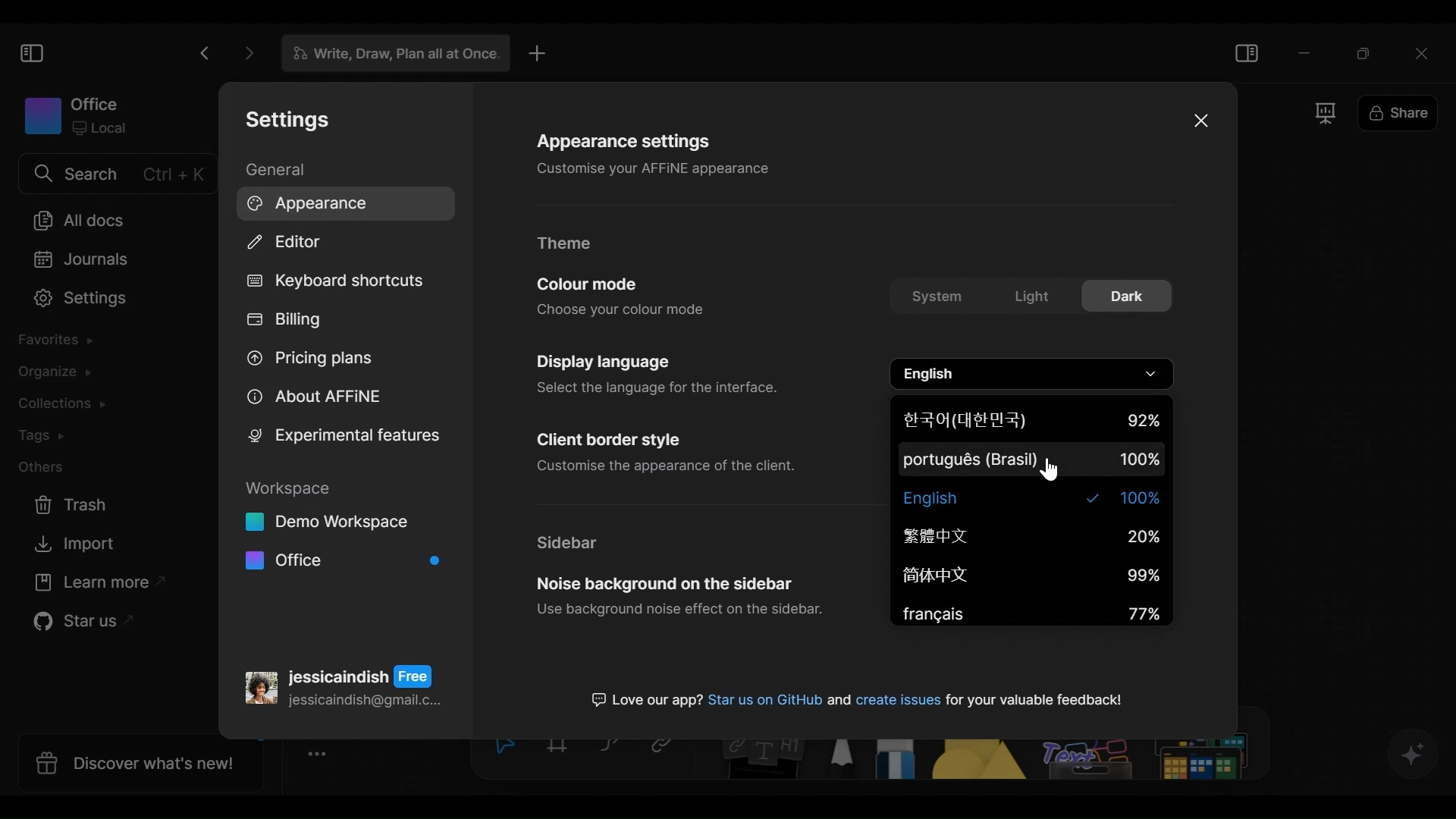 Image resolution: width=1456 pixels, height=819 pixels. I want to click on Pen, so click(843, 761).